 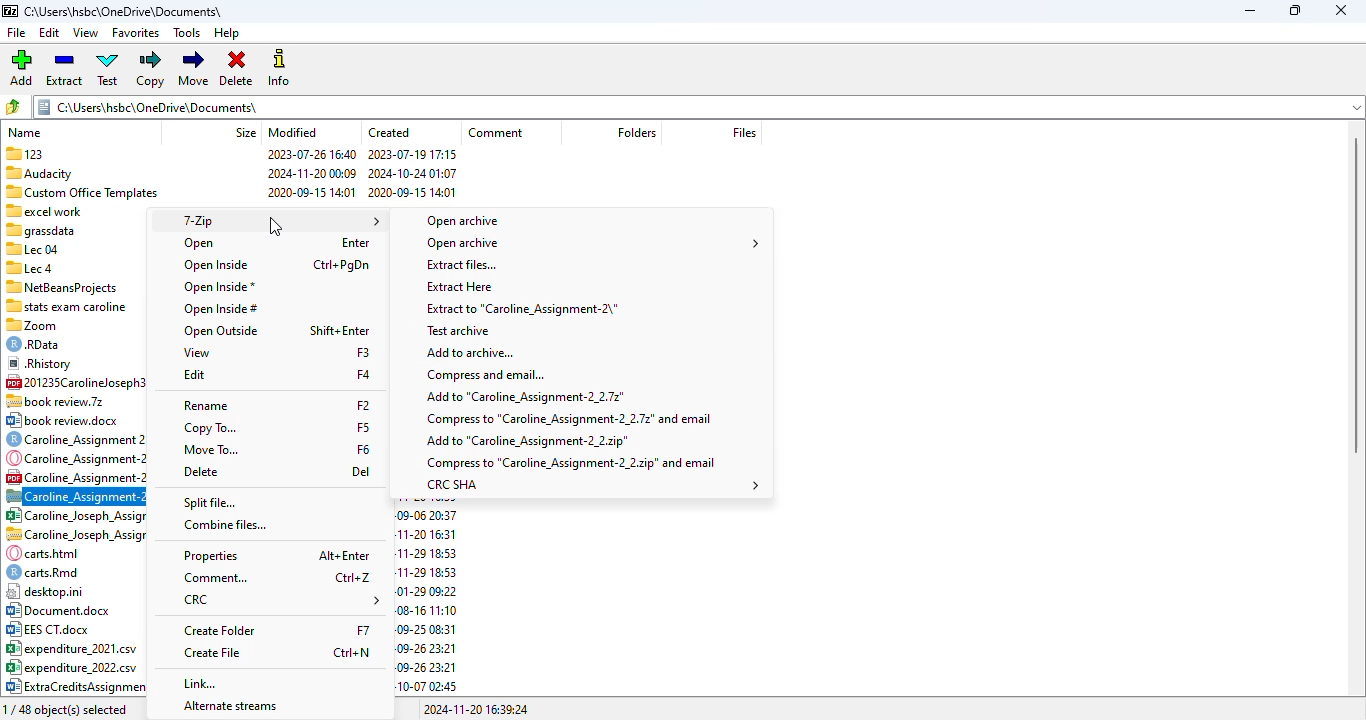 What do you see at coordinates (237, 69) in the screenshot?
I see `delete` at bounding box center [237, 69].